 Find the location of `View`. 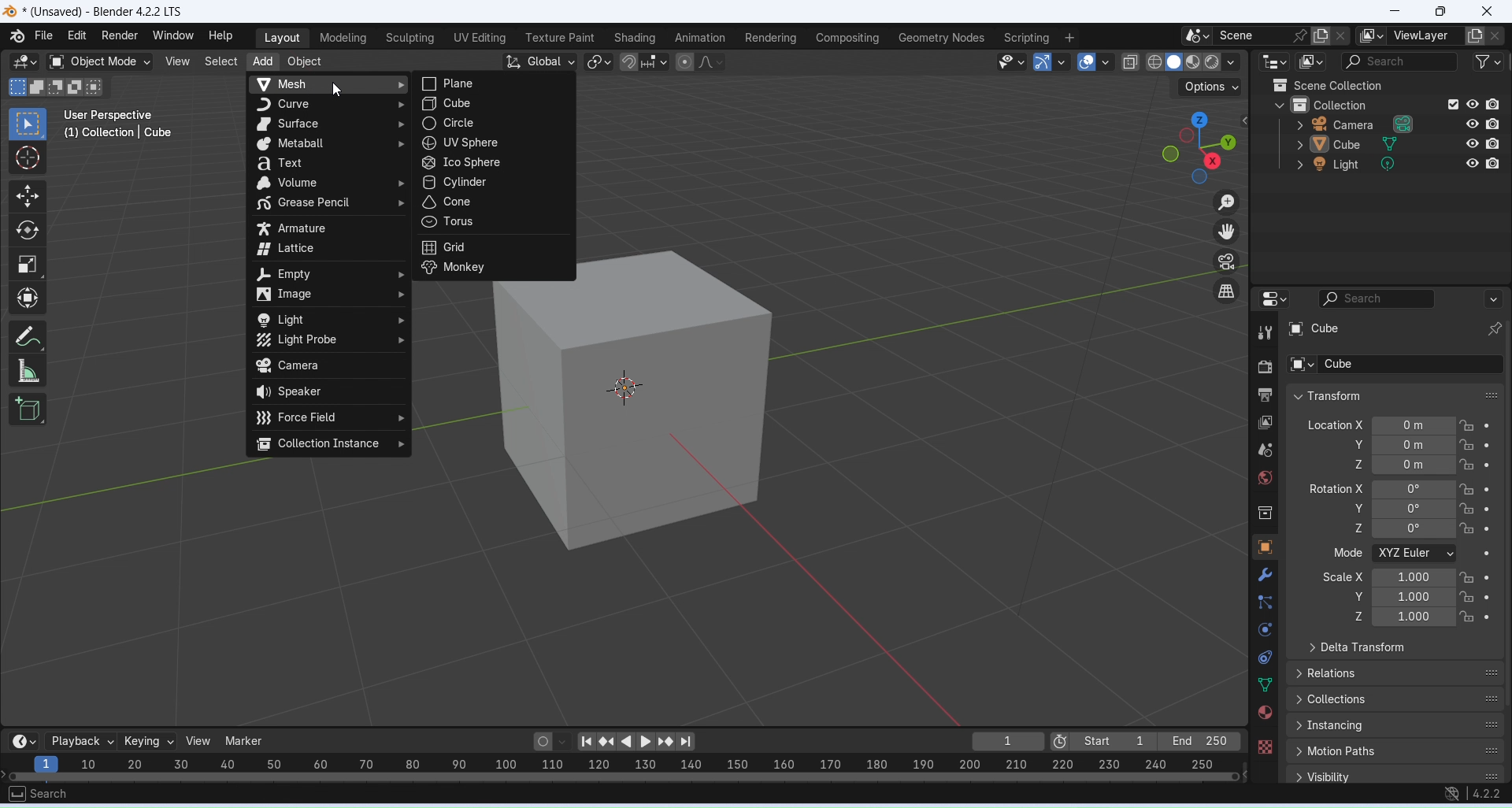

View is located at coordinates (198, 741).